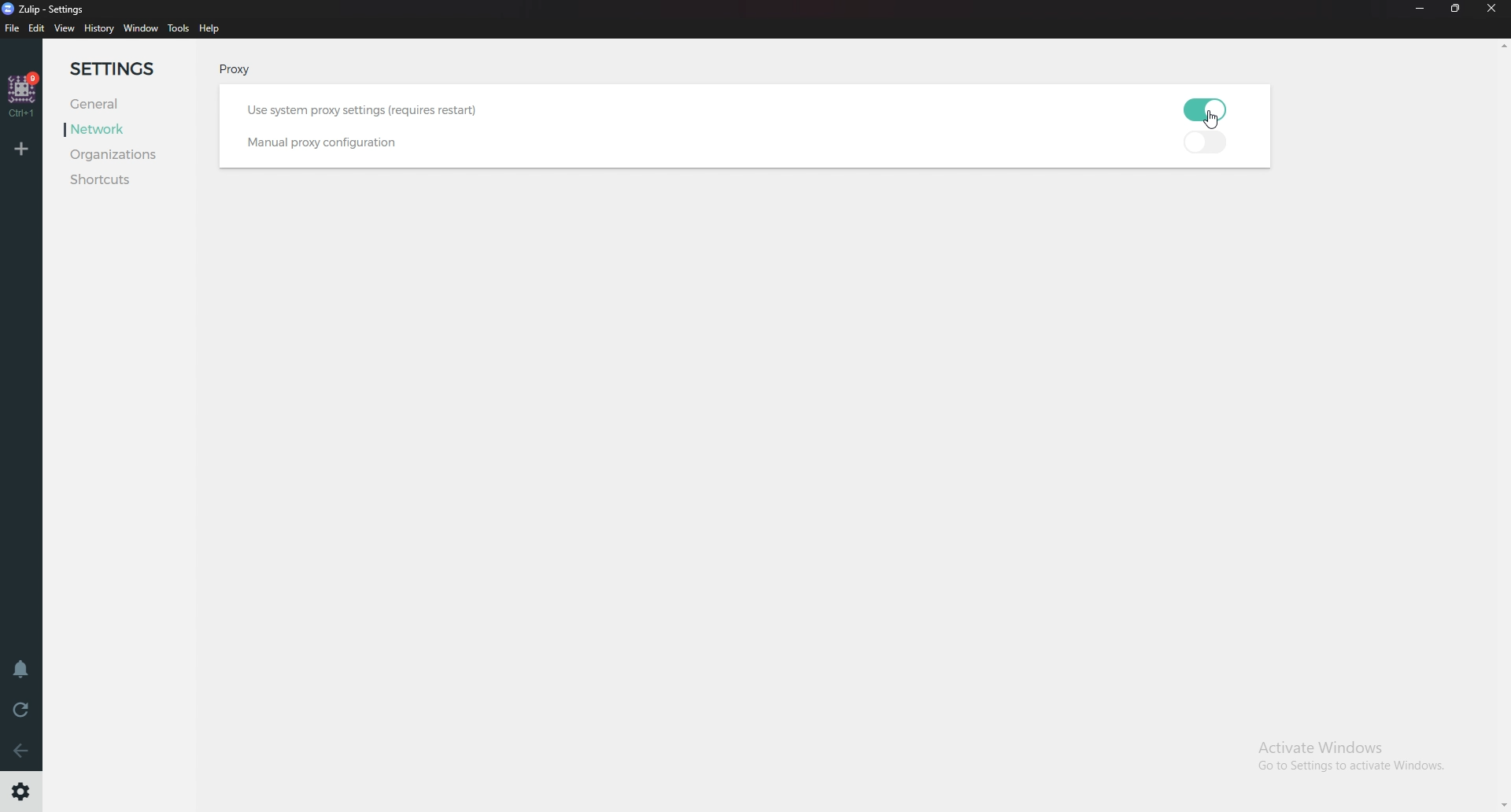 The image size is (1511, 812). I want to click on Manual proxy configuration, so click(333, 142).